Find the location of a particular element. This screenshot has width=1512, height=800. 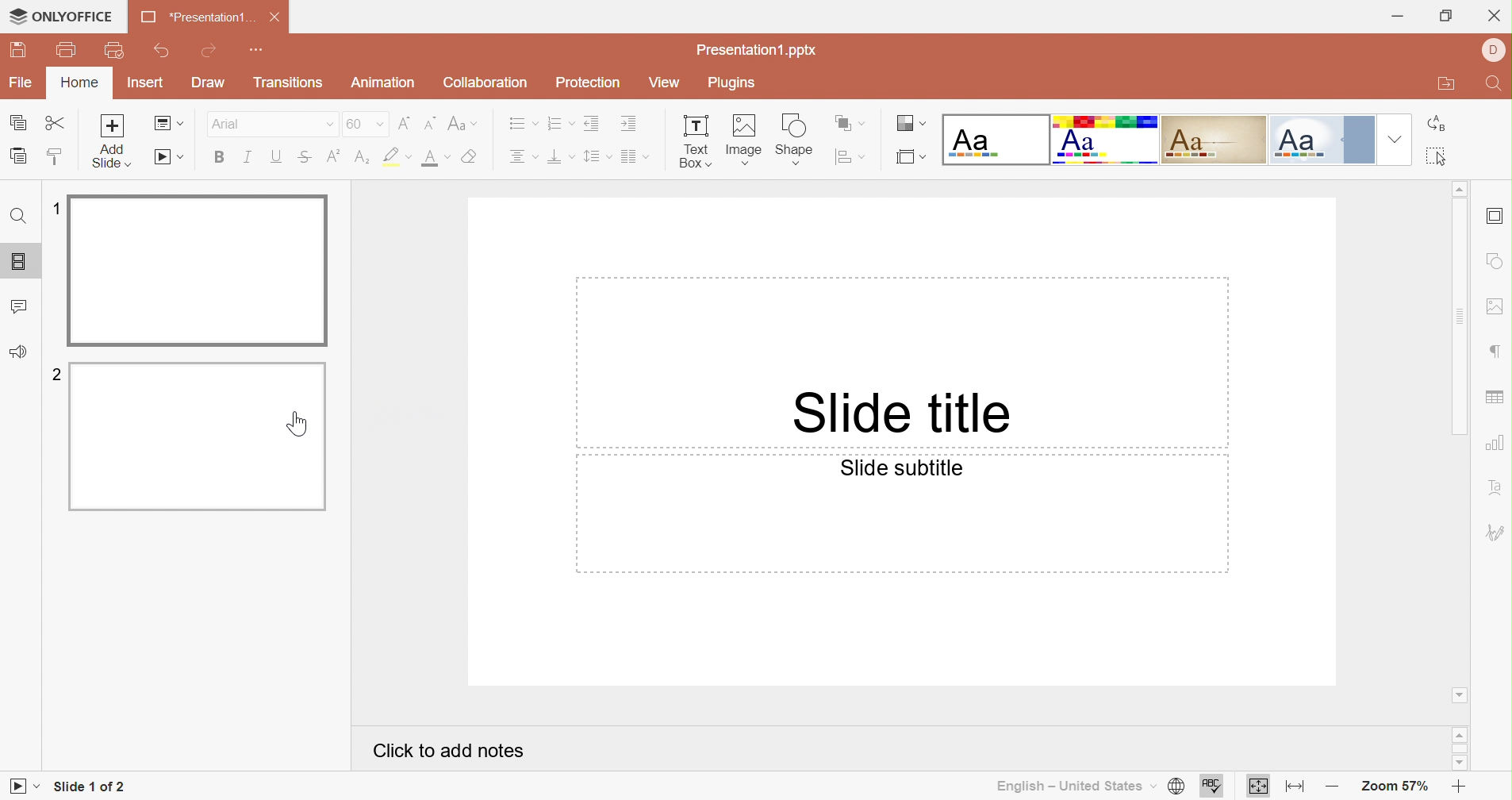

Save is located at coordinates (22, 51).